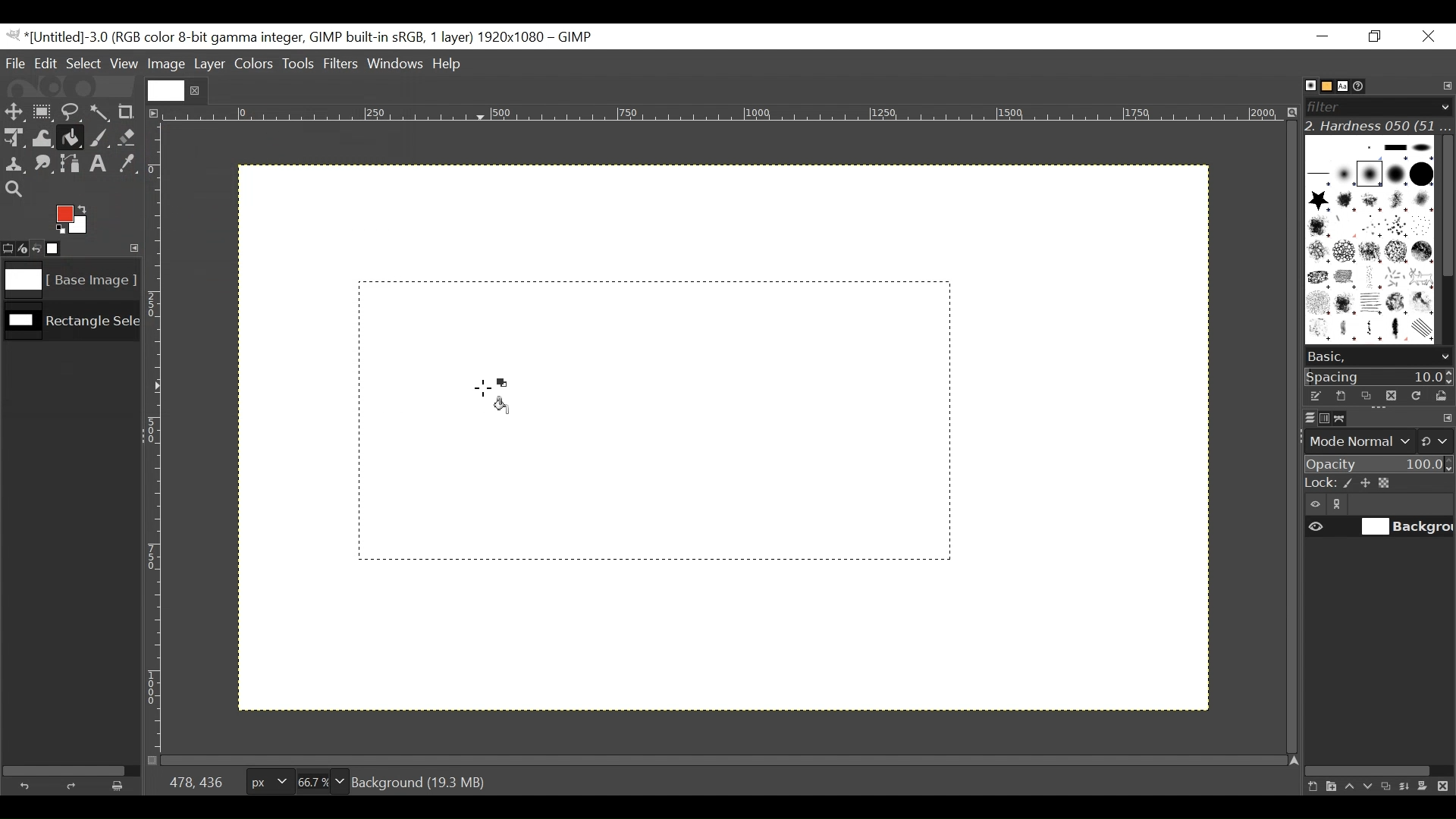 The image size is (1456, 819). What do you see at coordinates (1340, 396) in the screenshot?
I see `Create a new brush ` at bounding box center [1340, 396].